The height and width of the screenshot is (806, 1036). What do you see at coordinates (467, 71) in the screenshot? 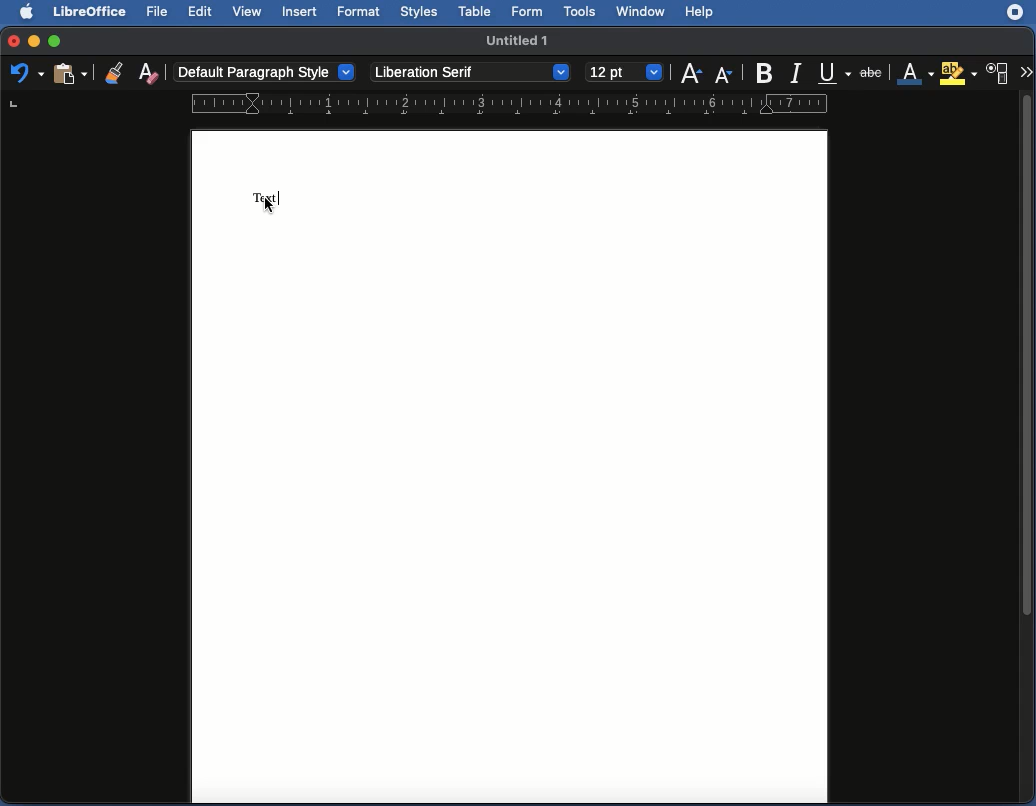
I see `Liberation Serif` at bounding box center [467, 71].